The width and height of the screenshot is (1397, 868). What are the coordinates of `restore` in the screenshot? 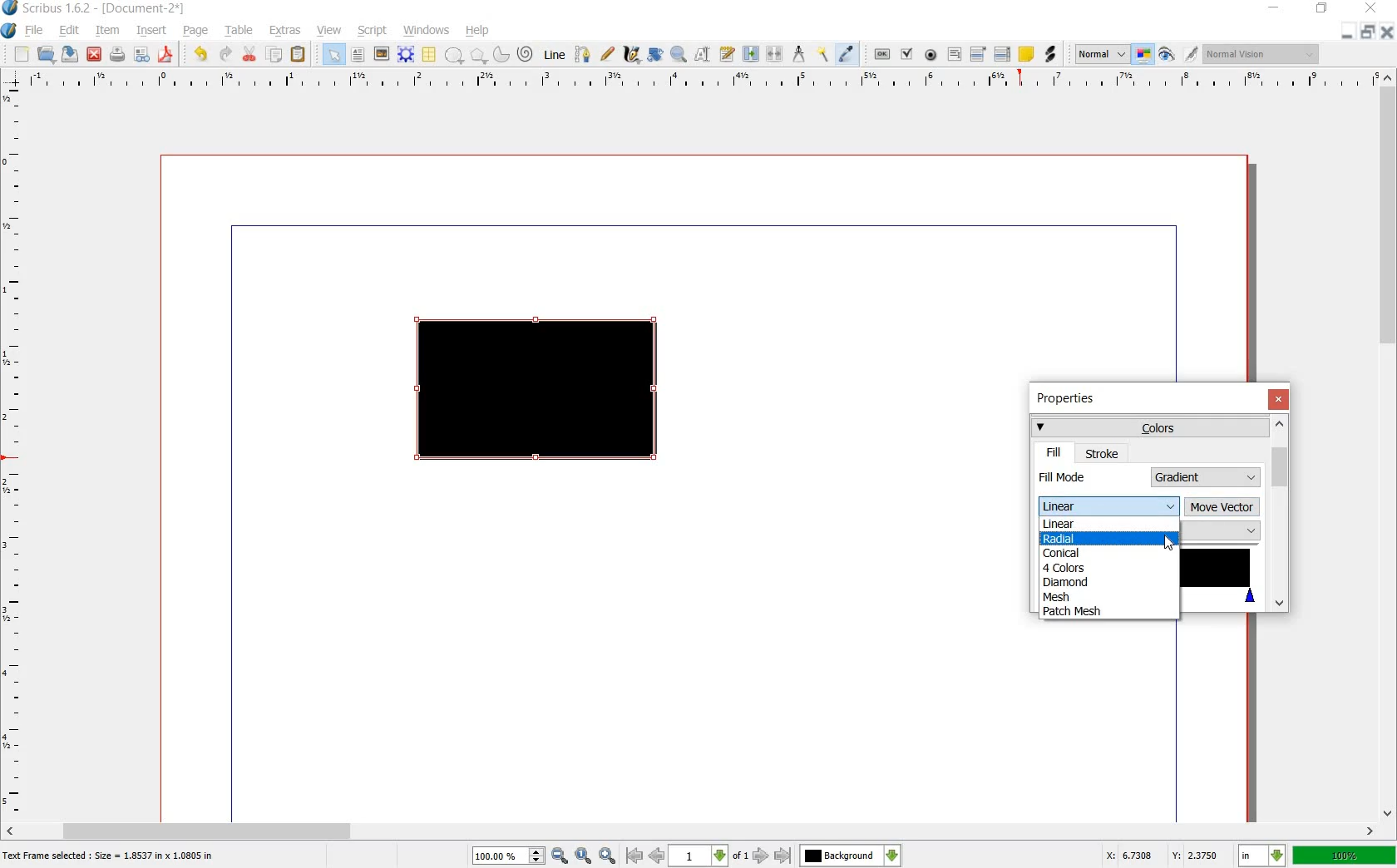 It's located at (1367, 33).